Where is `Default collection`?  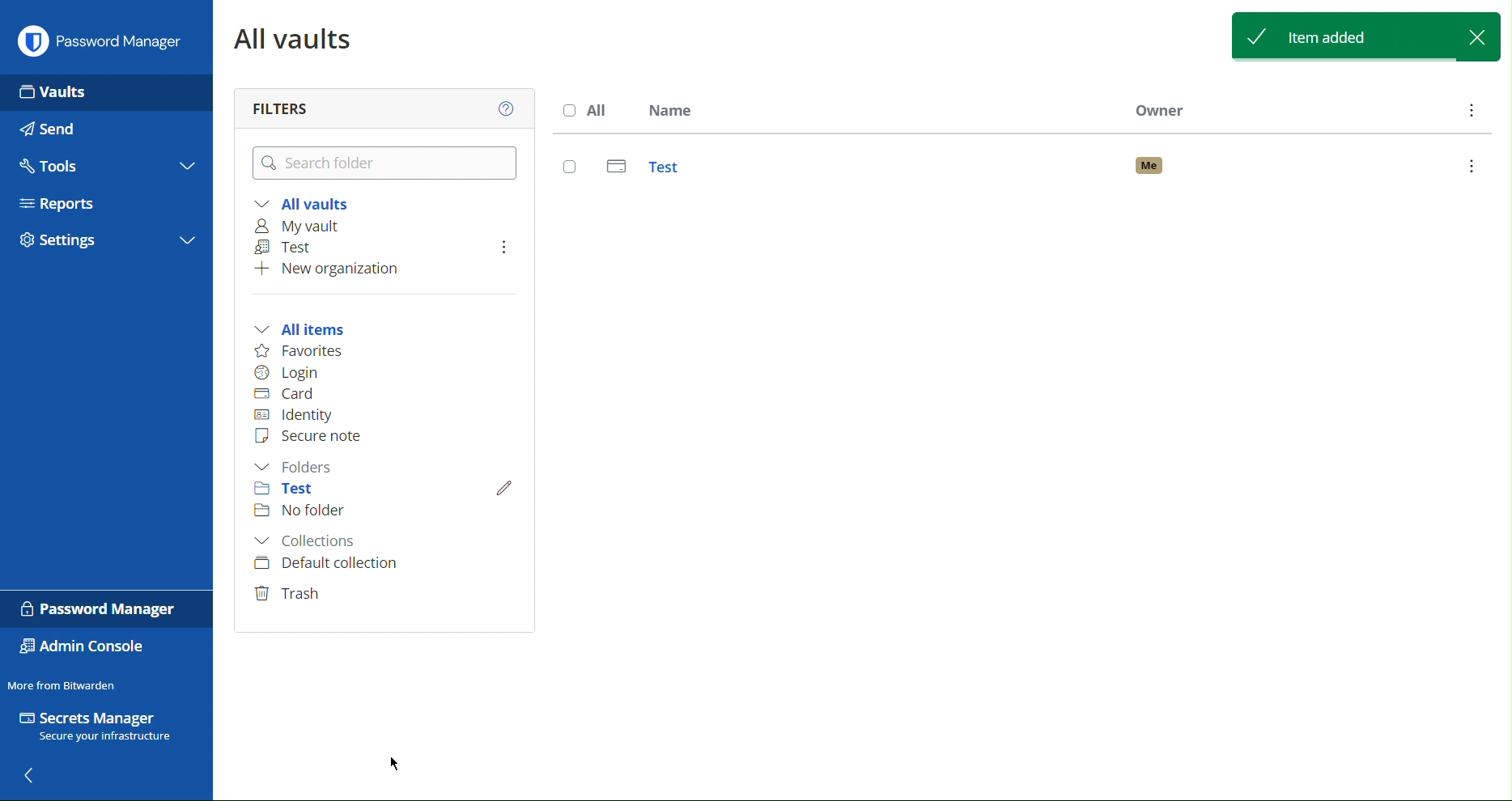
Default collection is located at coordinates (325, 565).